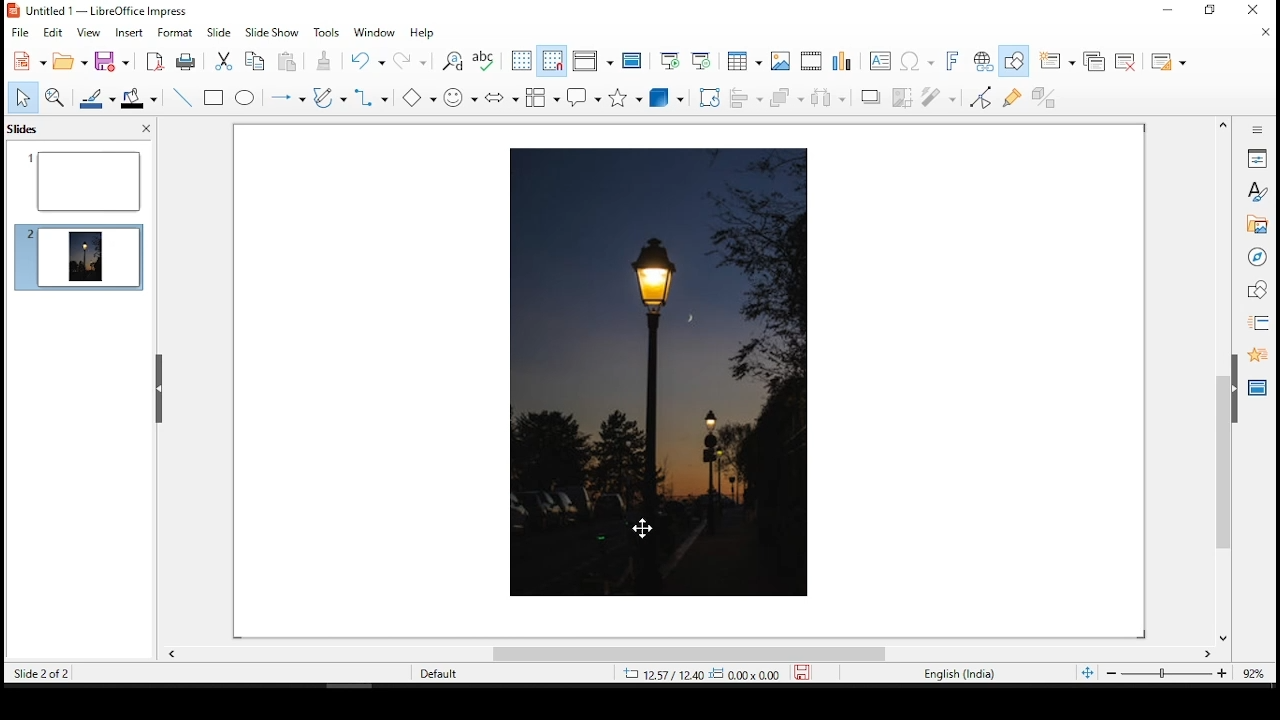  Describe the element at coordinates (670, 60) in the screenshot. I see `start from first slide` at that location.